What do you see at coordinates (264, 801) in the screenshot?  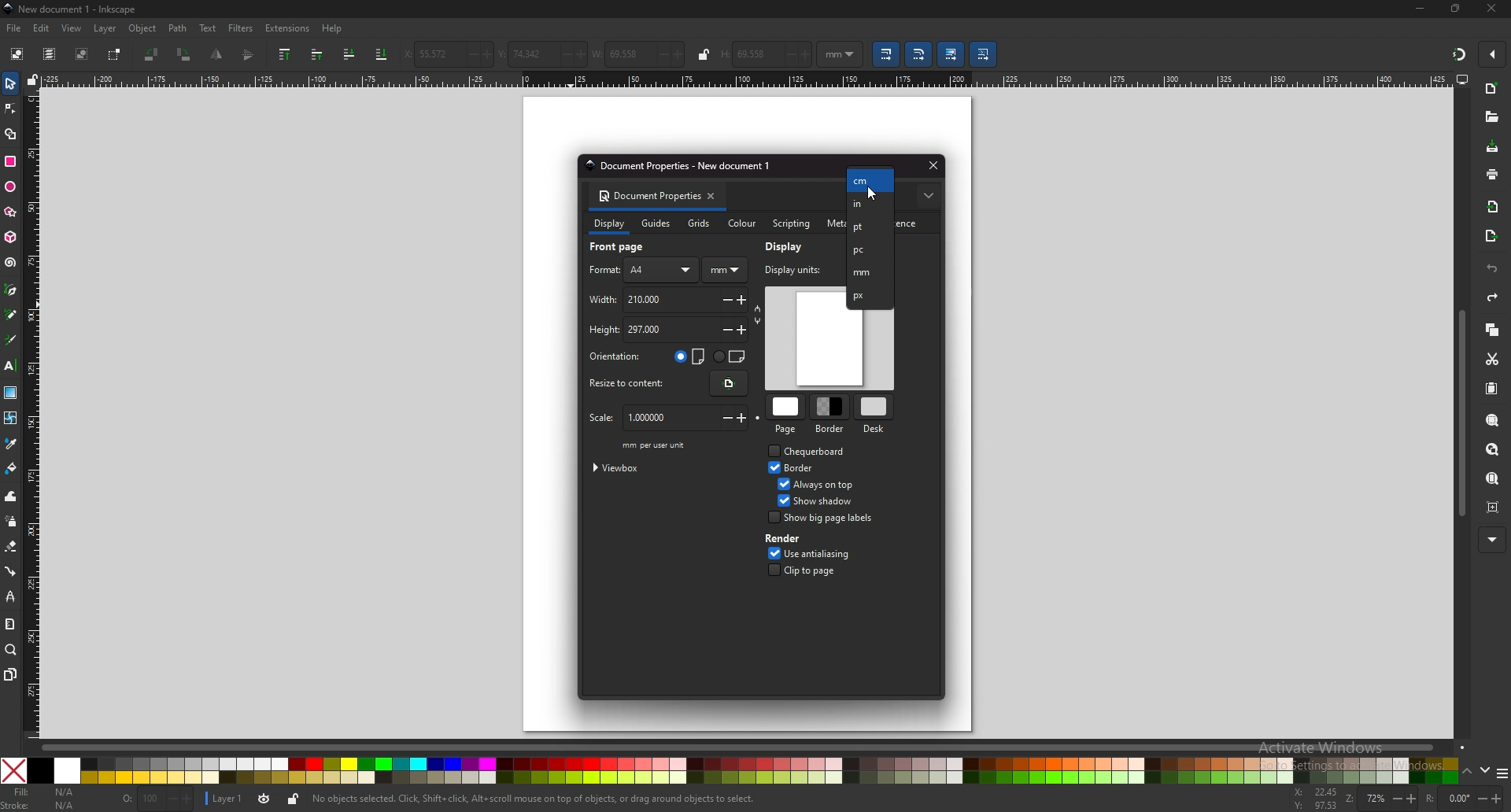 I see `current layer visibility` at bounding box center [264, 801].